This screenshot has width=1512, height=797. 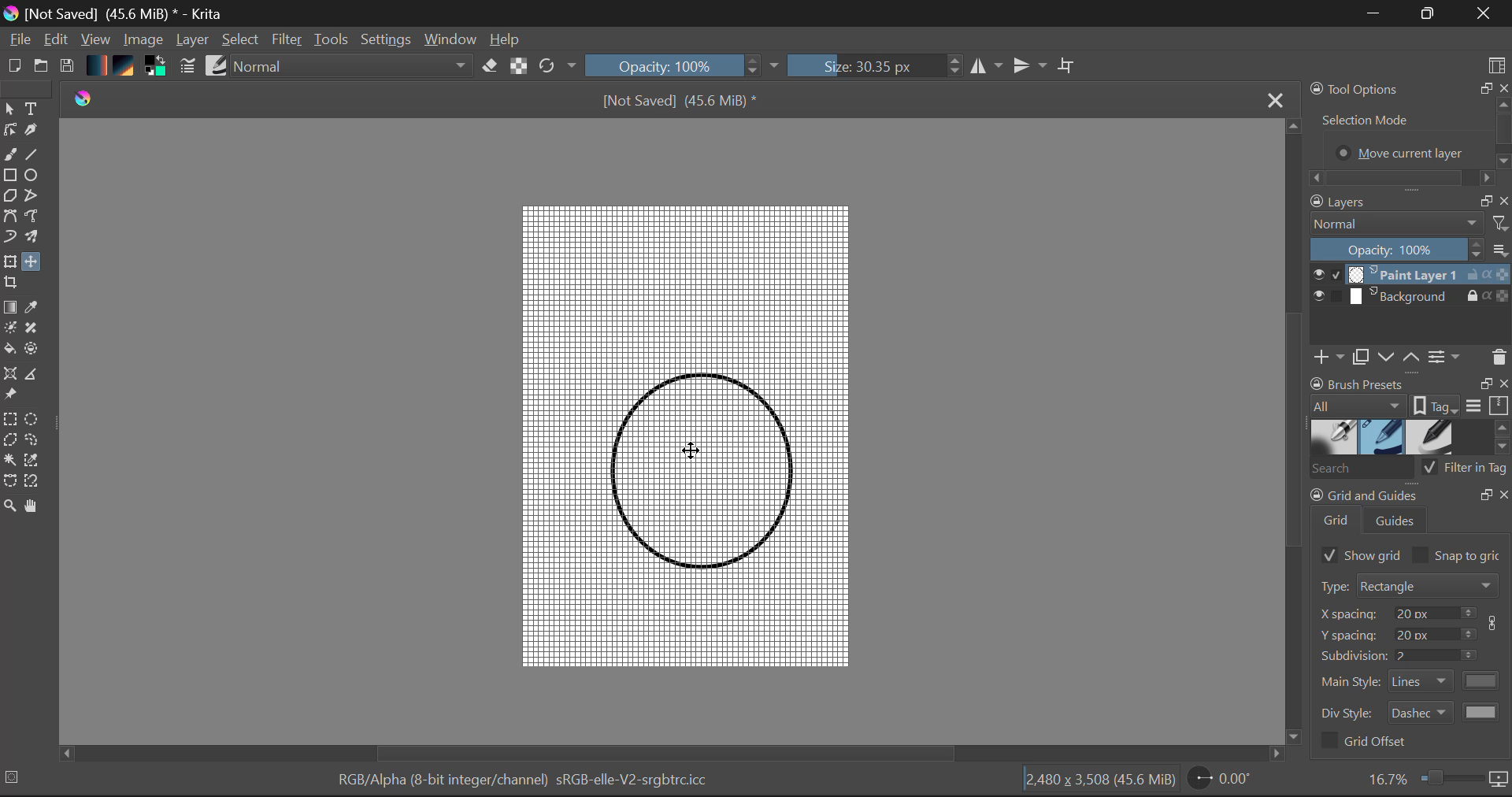 I want to click on Brush Size, so click(x=876, y=66).